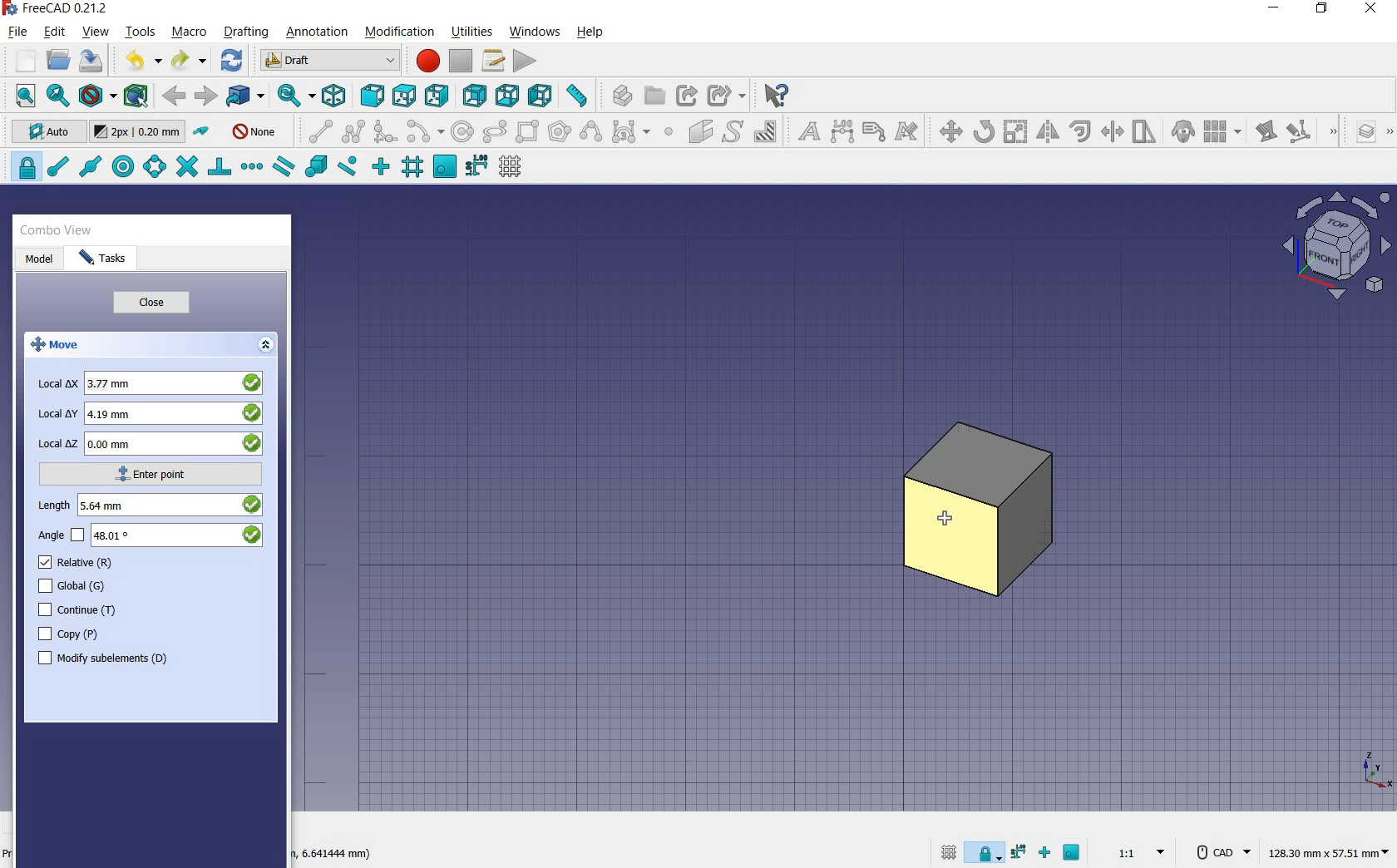 This screenshot has height=868, width=1397. Describe the element at coordinates (1019, 851) in the screenshot. I see `snap dimensions` at that location.